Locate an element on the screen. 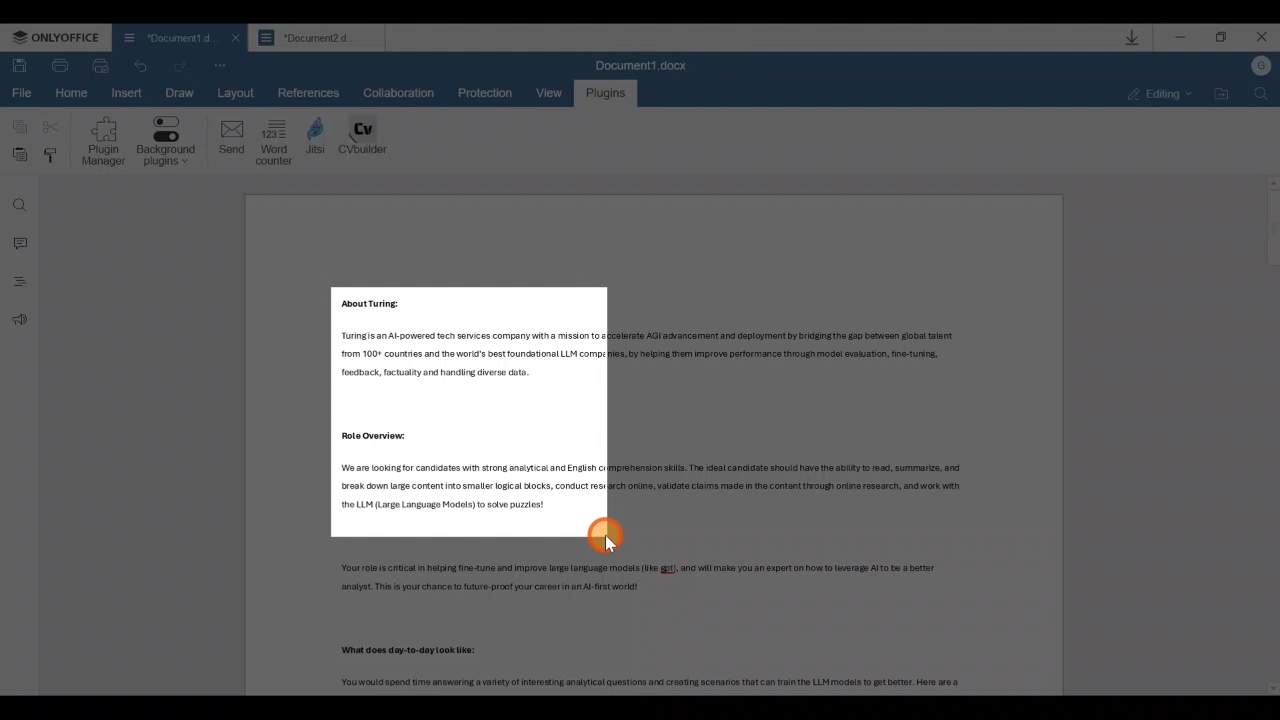 The image size is (1280, 720). Account name is located at coordinates (1261, 70).